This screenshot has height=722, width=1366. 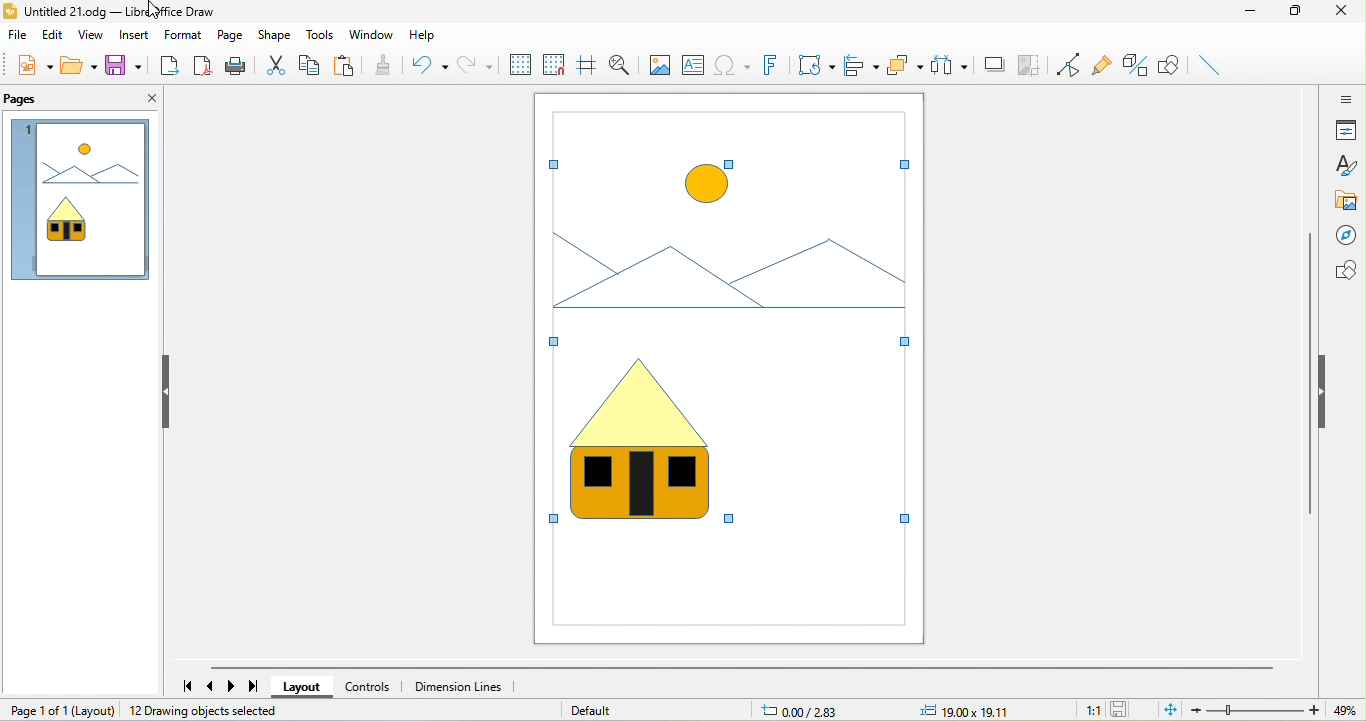 What do you see at coordinates (555, 64) in the screenshot?
I see `snap to grid` at bounding box center [555, 64].